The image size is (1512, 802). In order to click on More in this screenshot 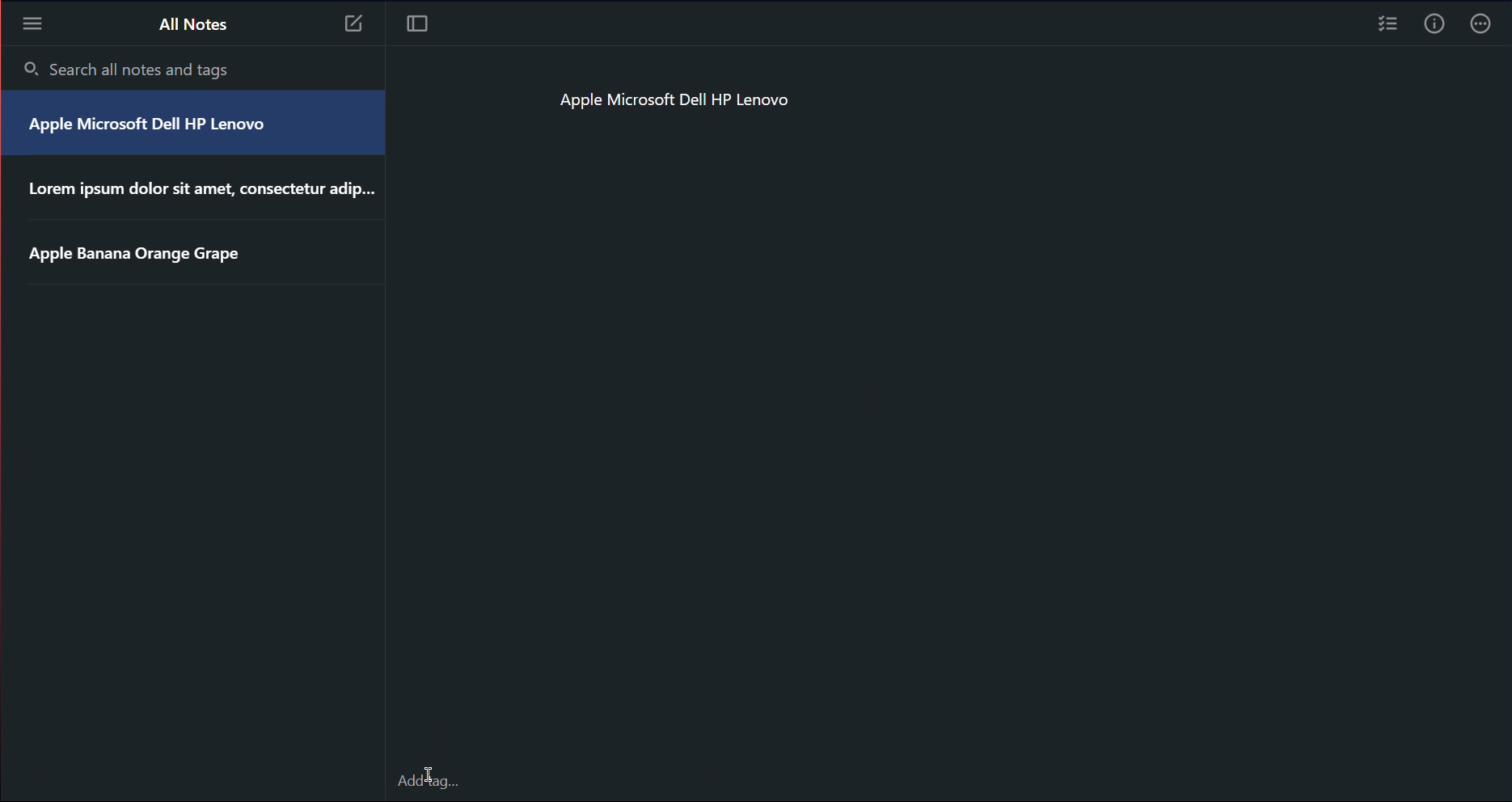, I will do `click(32, 23)`.